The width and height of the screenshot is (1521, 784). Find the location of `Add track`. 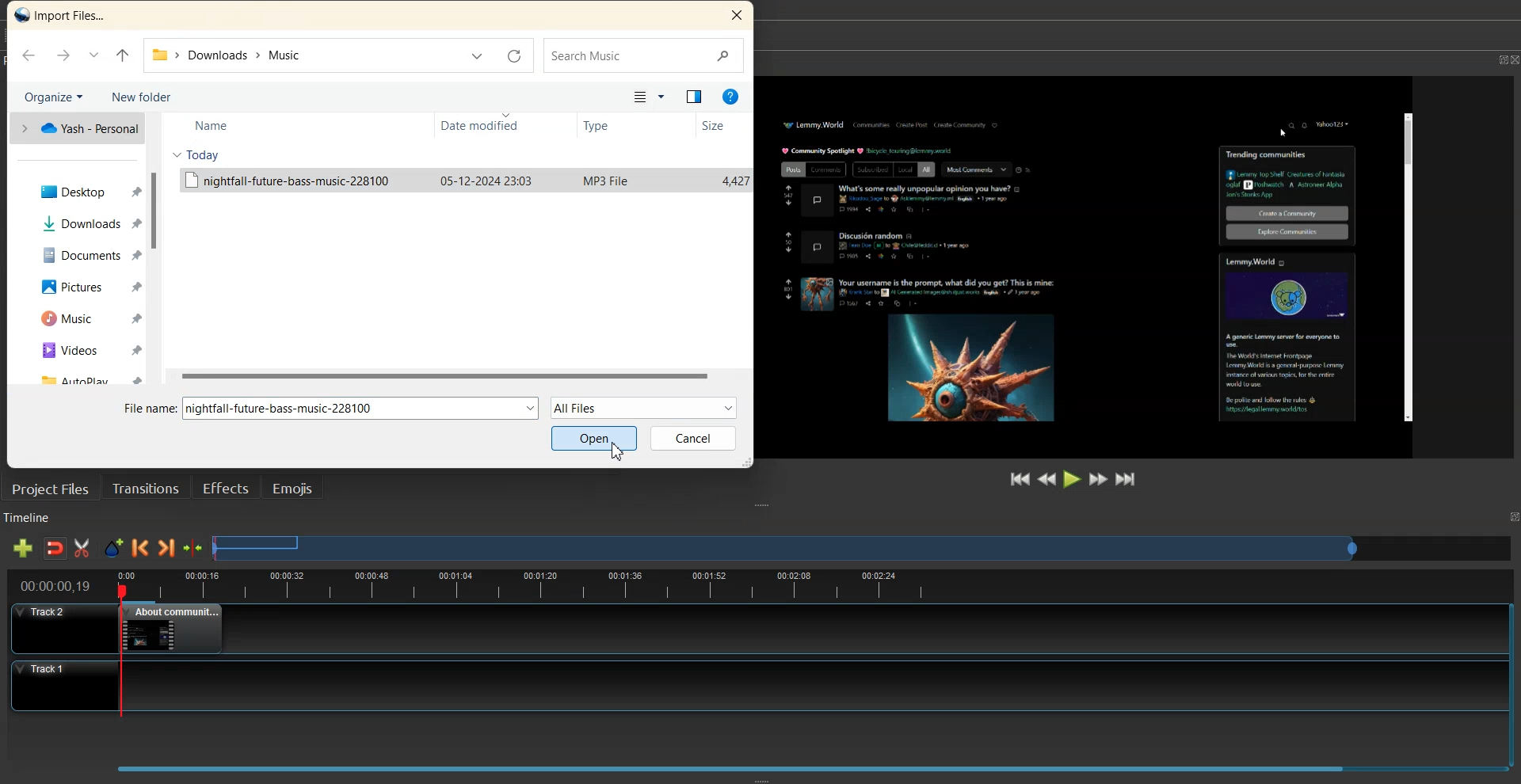

Add track is located at coordinates (22, 548).